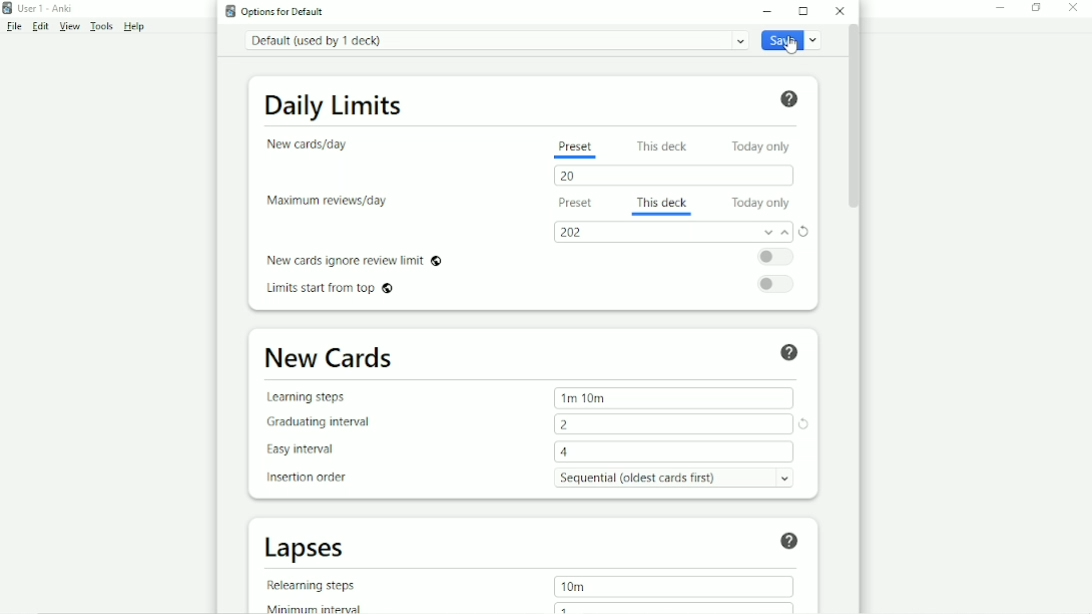 This screenshot has height=614, width=1092. I want to click on Help, so click(788, 539).